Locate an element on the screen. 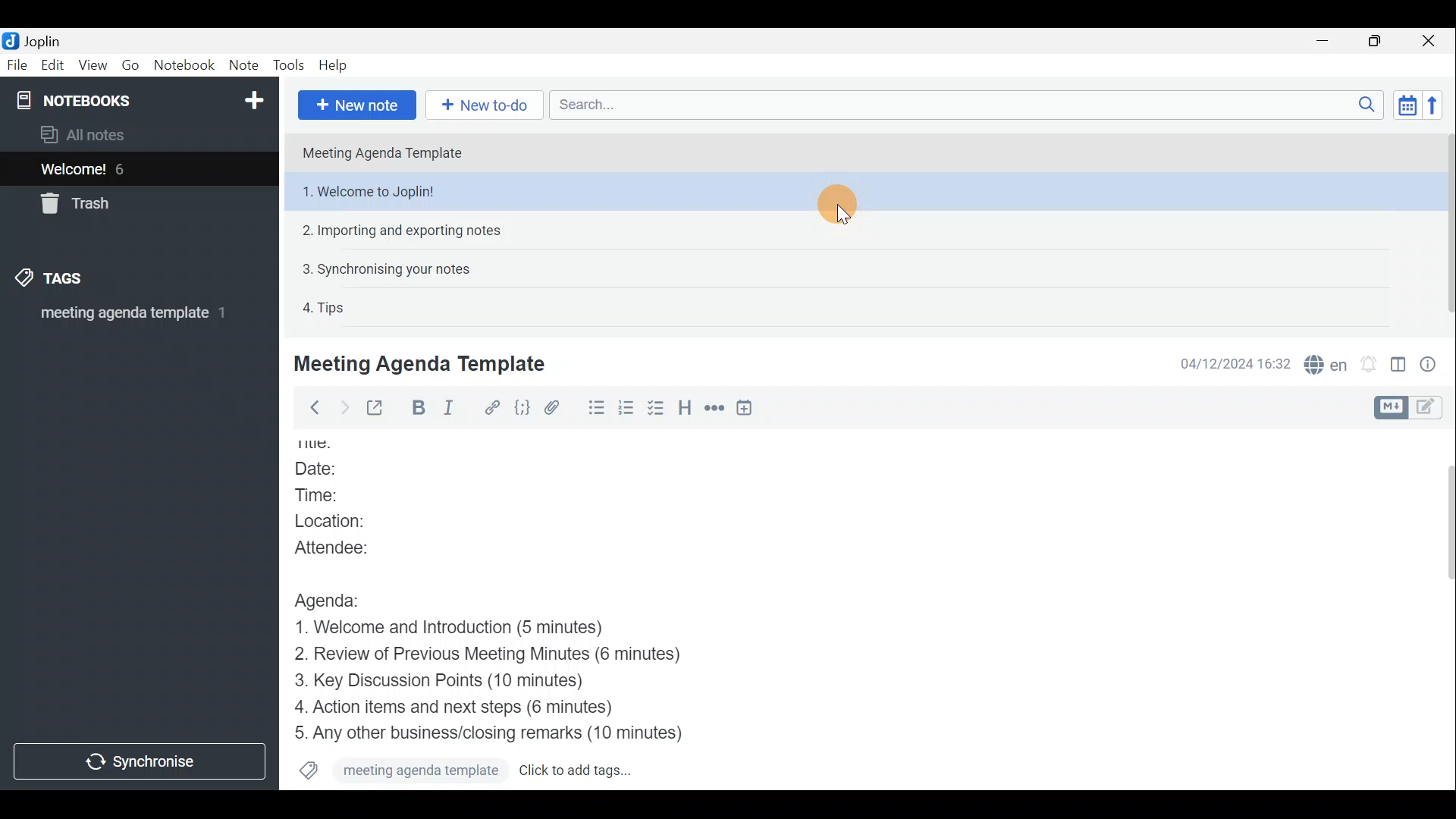 The image size is (1456, 819). 04/12/2024 16:32 is located at coordinates (1228, 362).